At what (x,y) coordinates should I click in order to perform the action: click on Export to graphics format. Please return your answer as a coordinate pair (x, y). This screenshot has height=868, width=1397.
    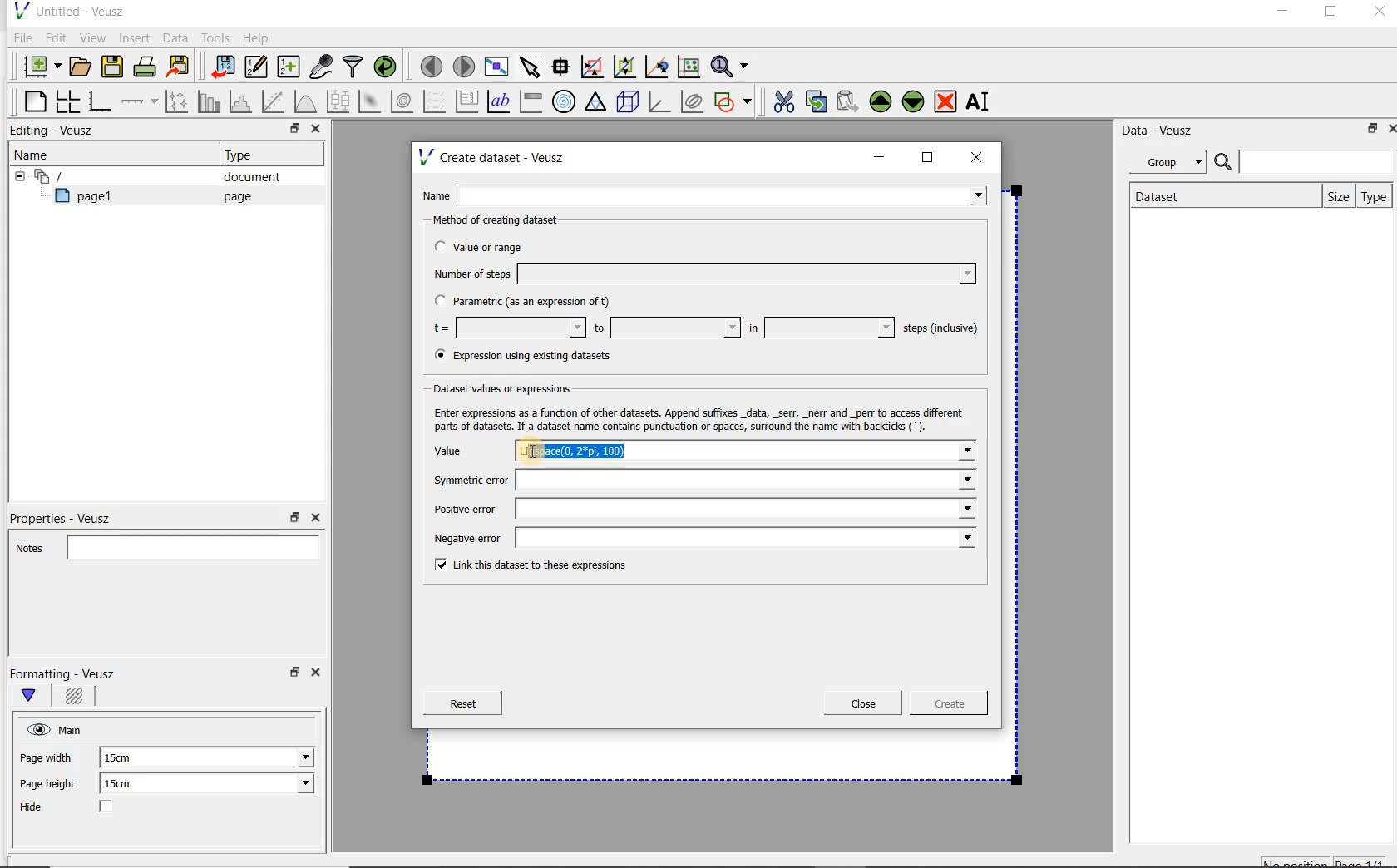
    Looking at the image, I should click on (179, 68).